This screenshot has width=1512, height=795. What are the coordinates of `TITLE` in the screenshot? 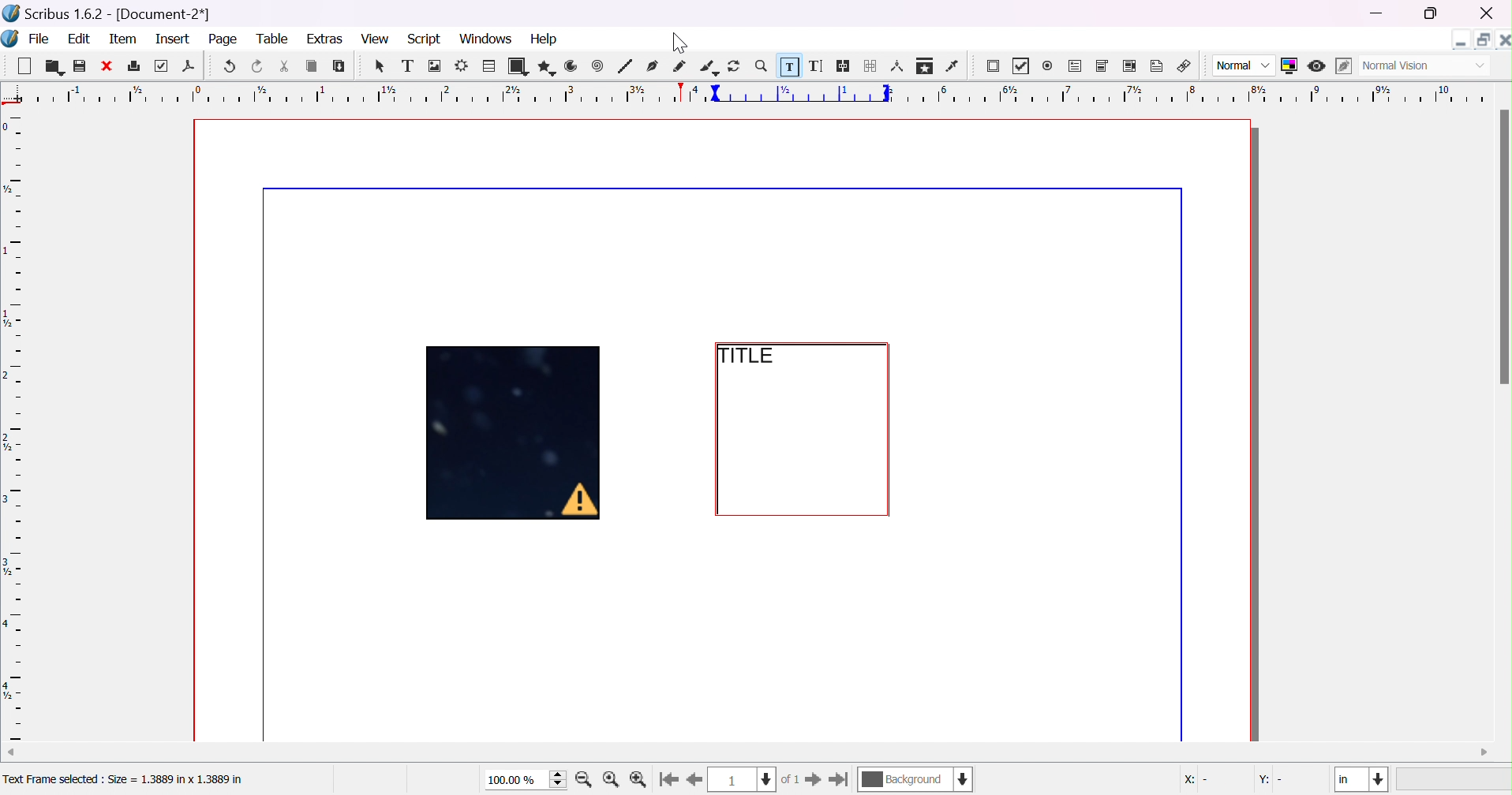 It's located at (750, 354).